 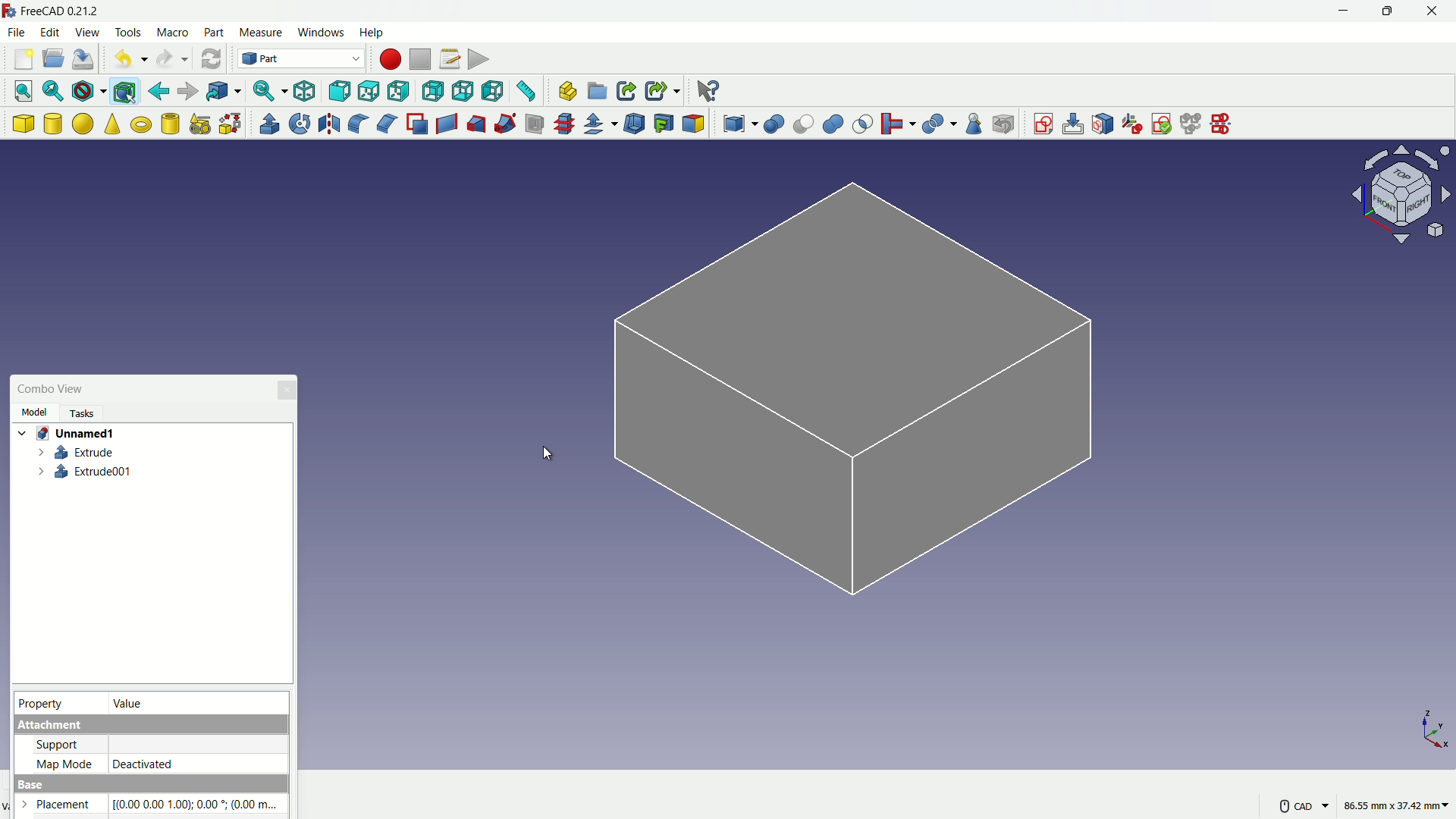 I want to click on create ruled surface, so click(x=447, y=122).